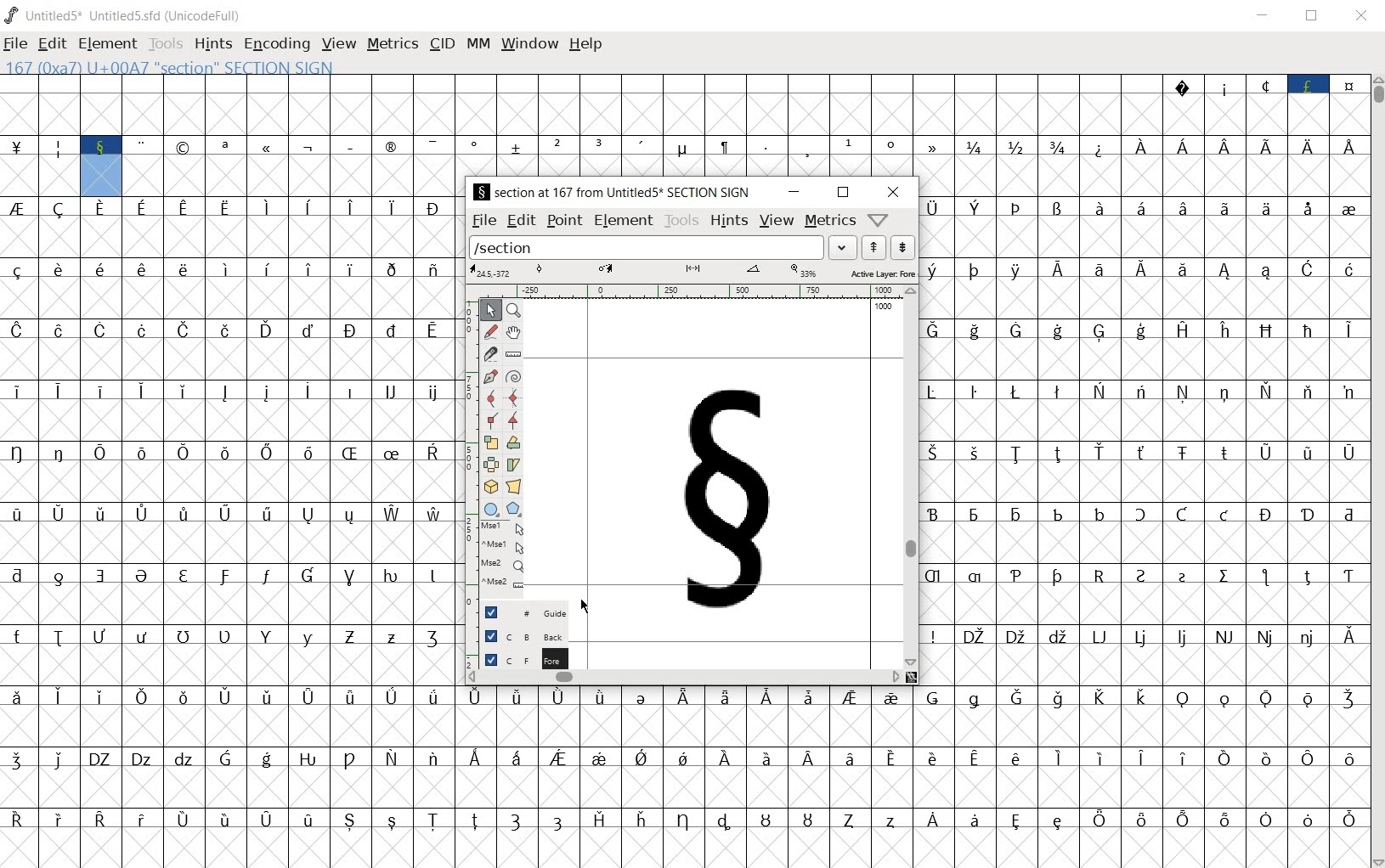 The image size is (1385, 868). I want to click on mm, so click(476, 44).